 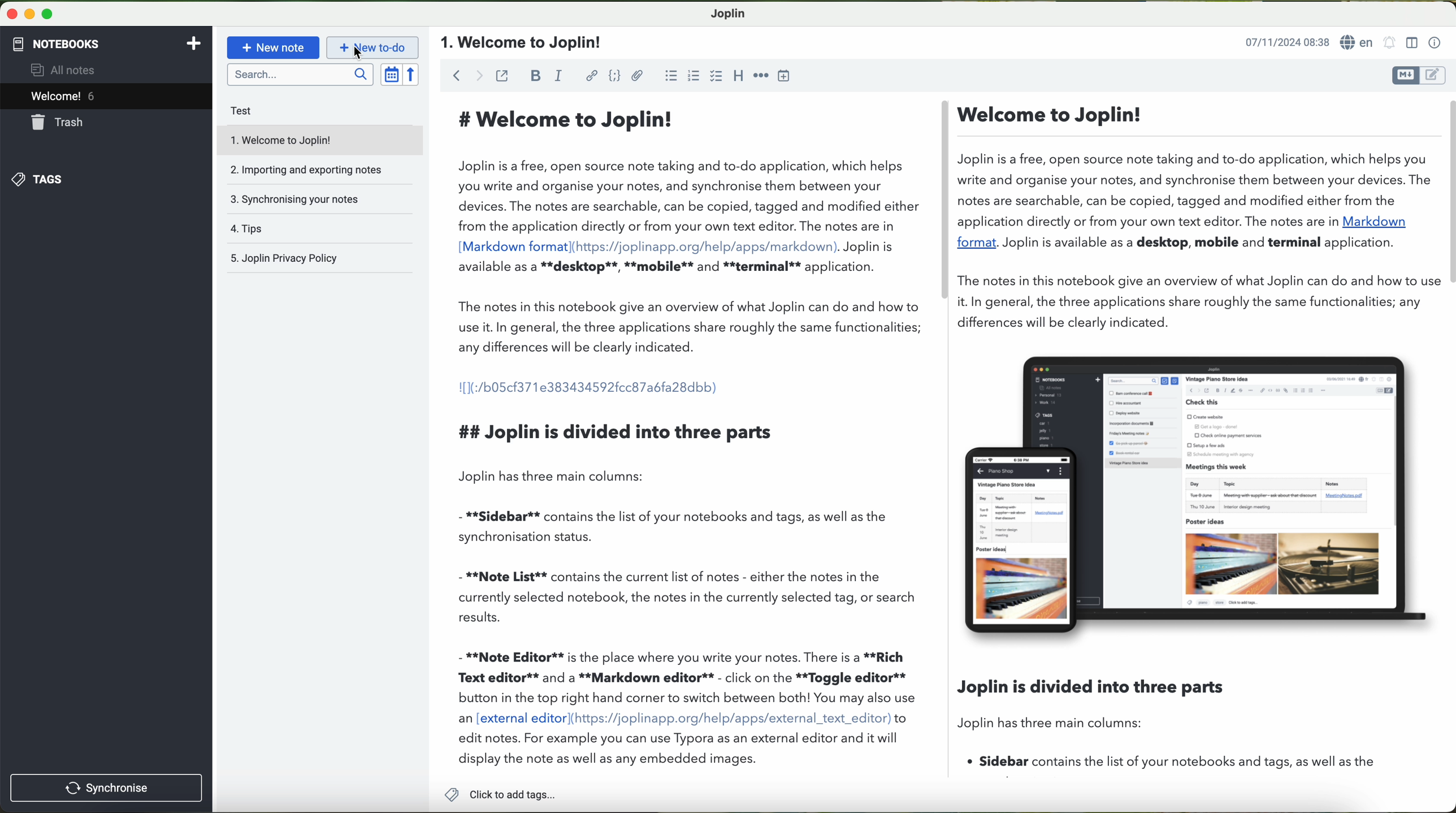 I want to click on bulleted list, so click(x=672, y=75).